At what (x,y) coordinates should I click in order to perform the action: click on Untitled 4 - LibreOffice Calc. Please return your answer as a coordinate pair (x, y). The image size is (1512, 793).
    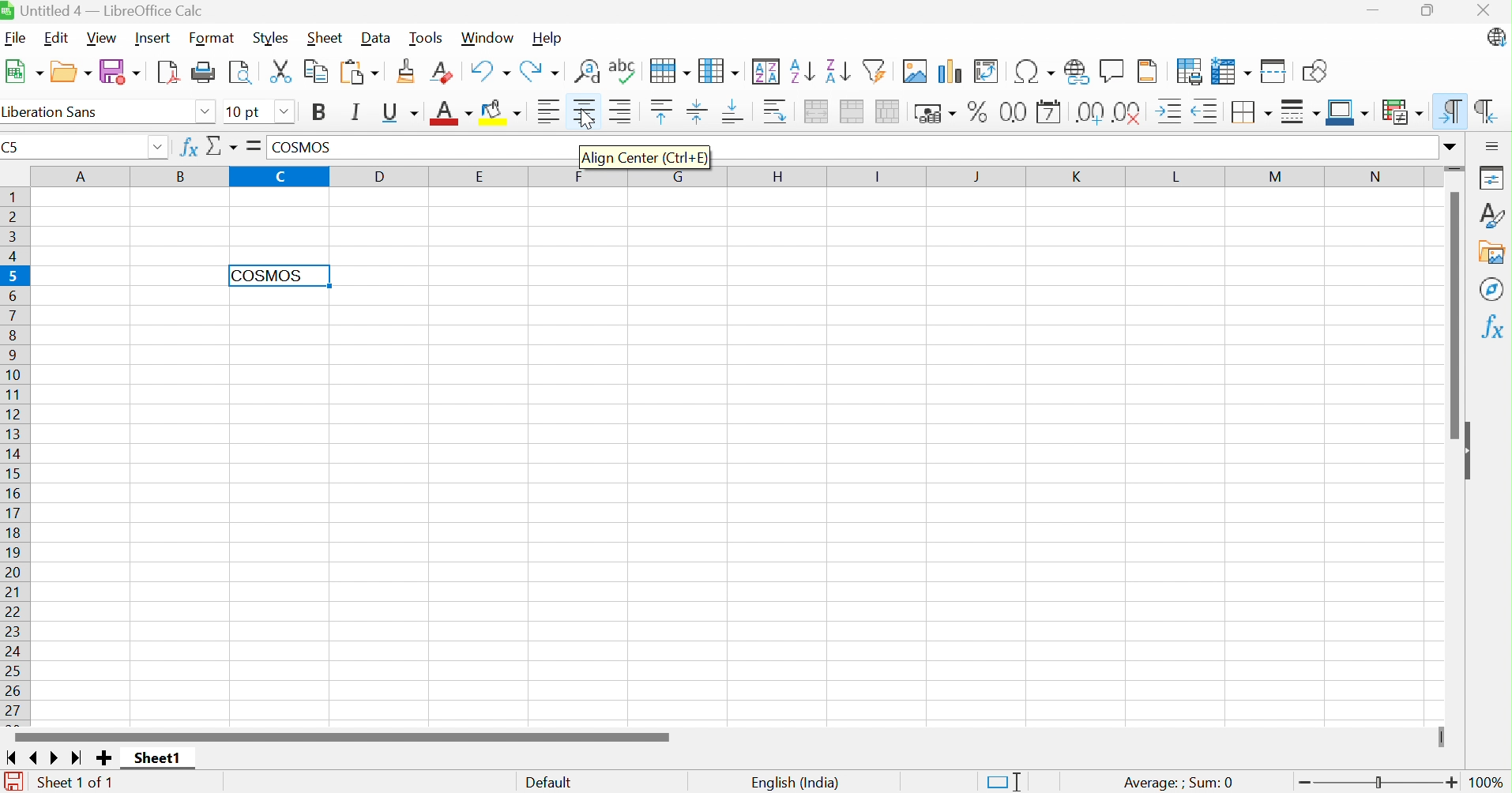
    Looking at the image, I should click on (107, 10).